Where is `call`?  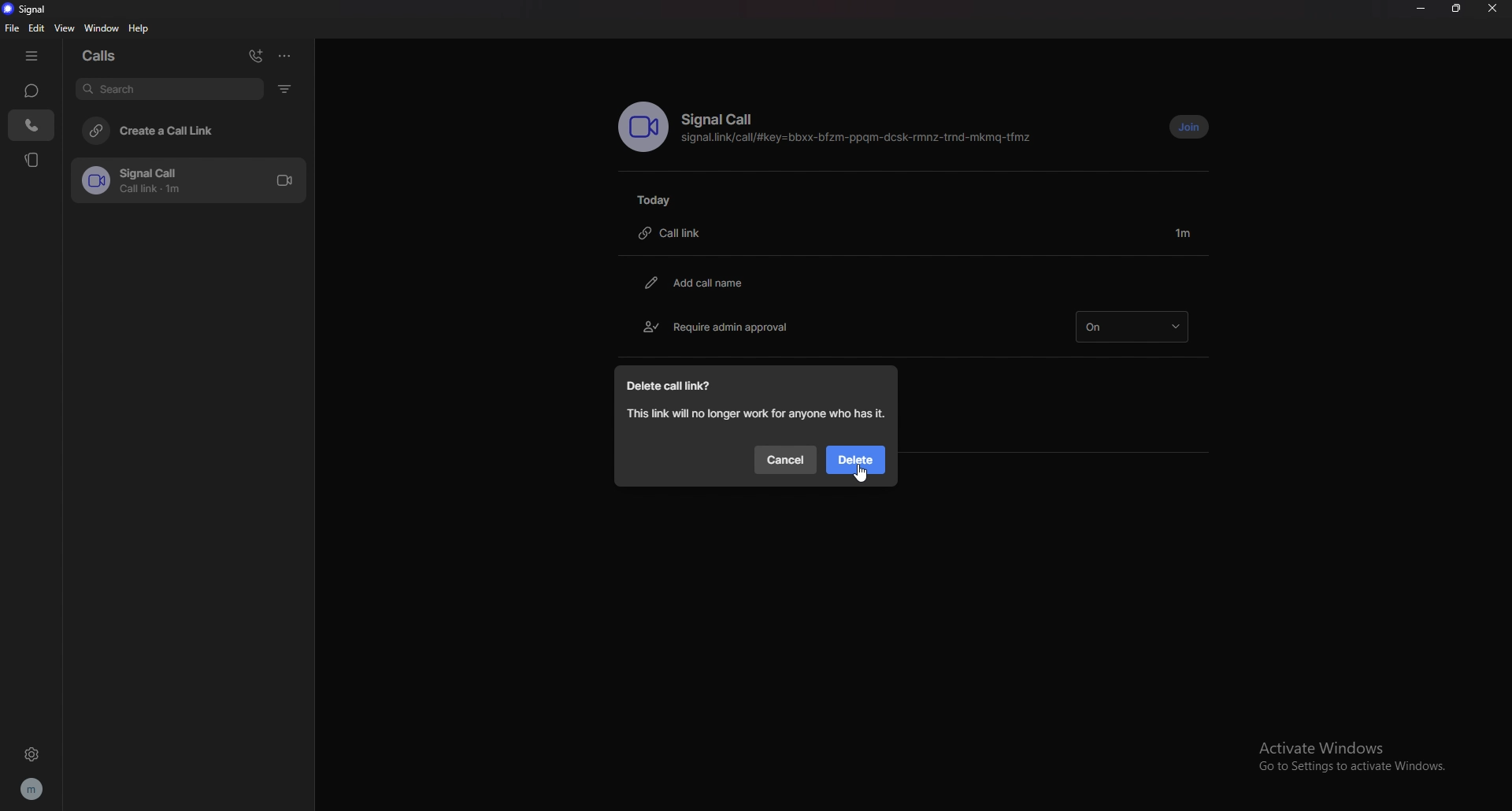 call is located at coordinates (31, 127).